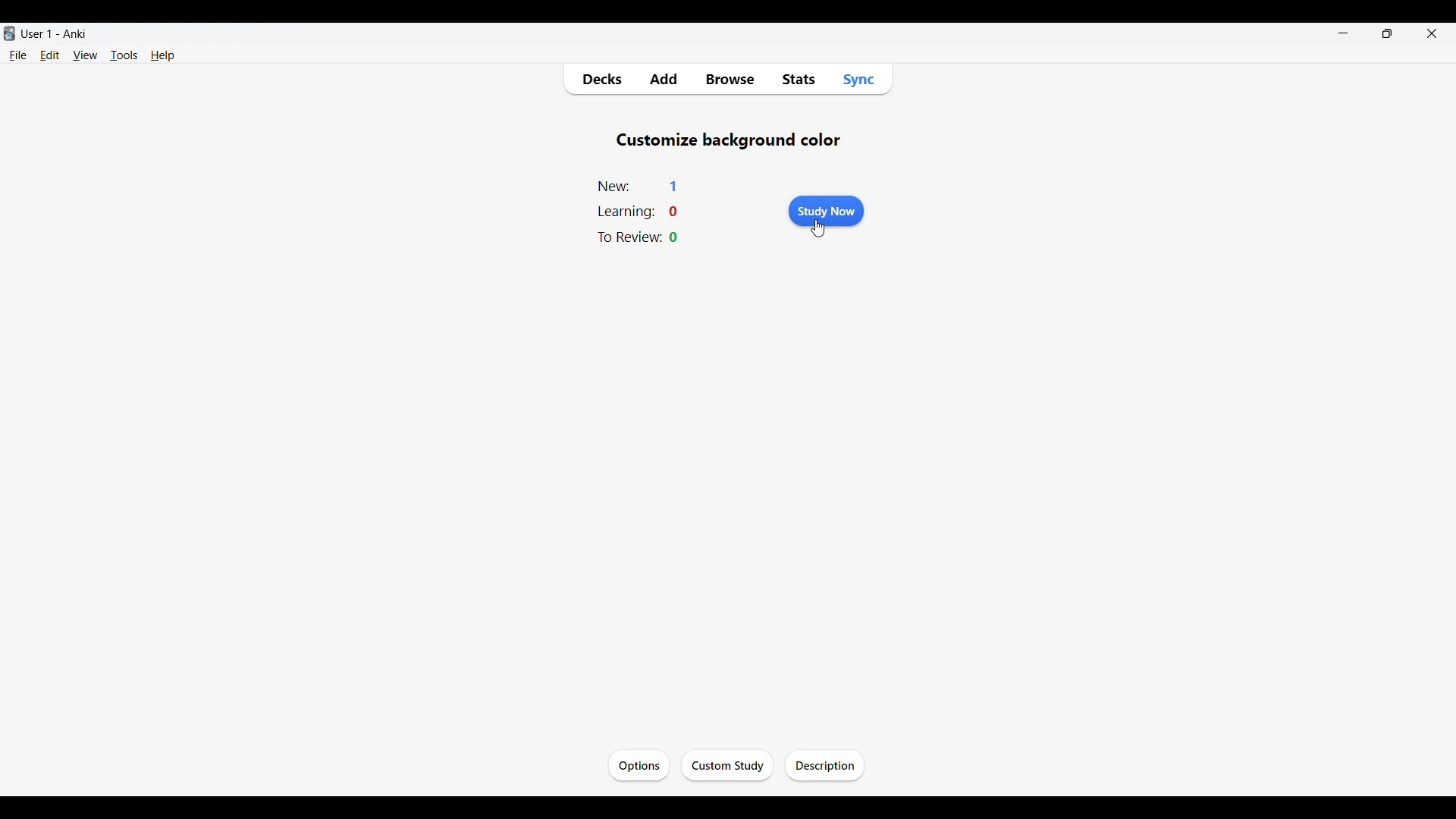 The height and width of the screenshot is (819, 1456). I want to click on Indicates new cards, so click(615, 187).